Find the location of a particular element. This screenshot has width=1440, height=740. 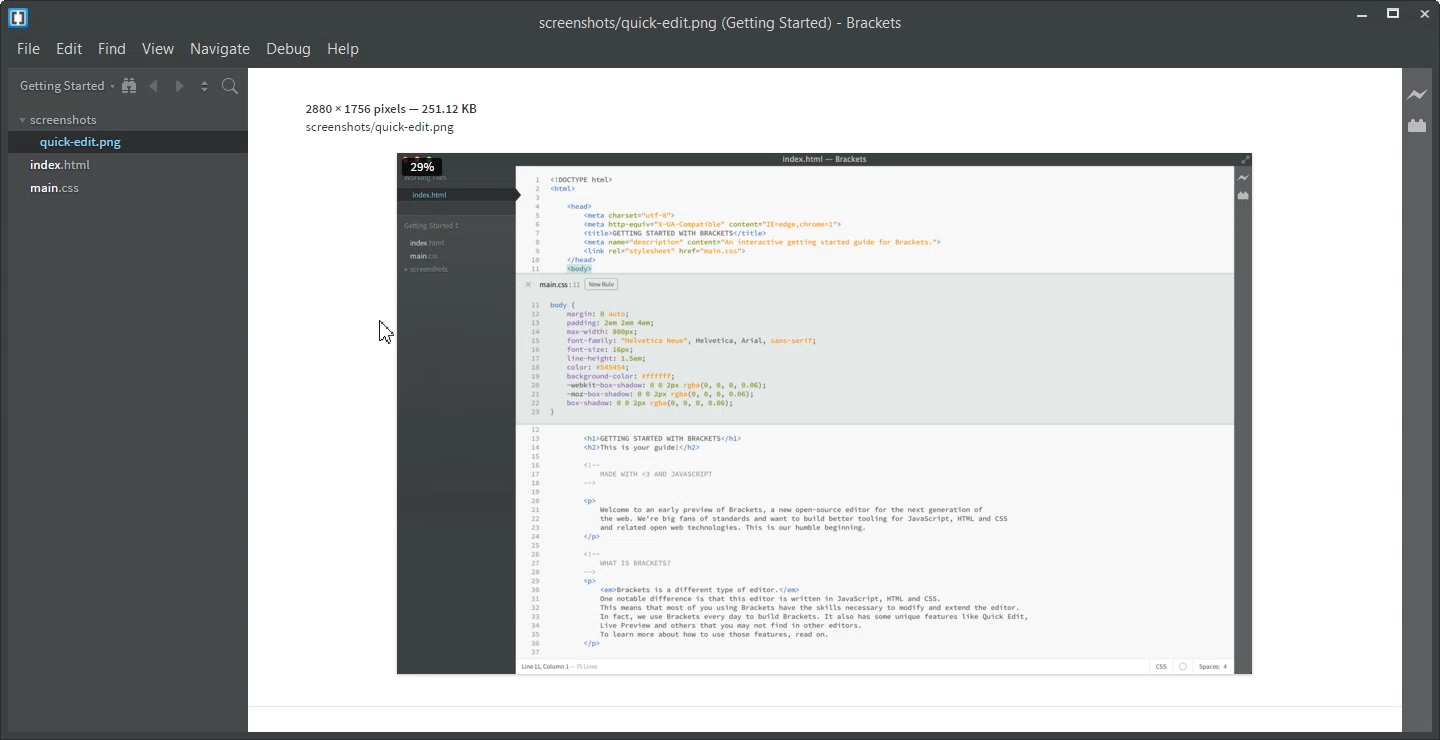

Navigate Backward is located at coordinates (154, 85).